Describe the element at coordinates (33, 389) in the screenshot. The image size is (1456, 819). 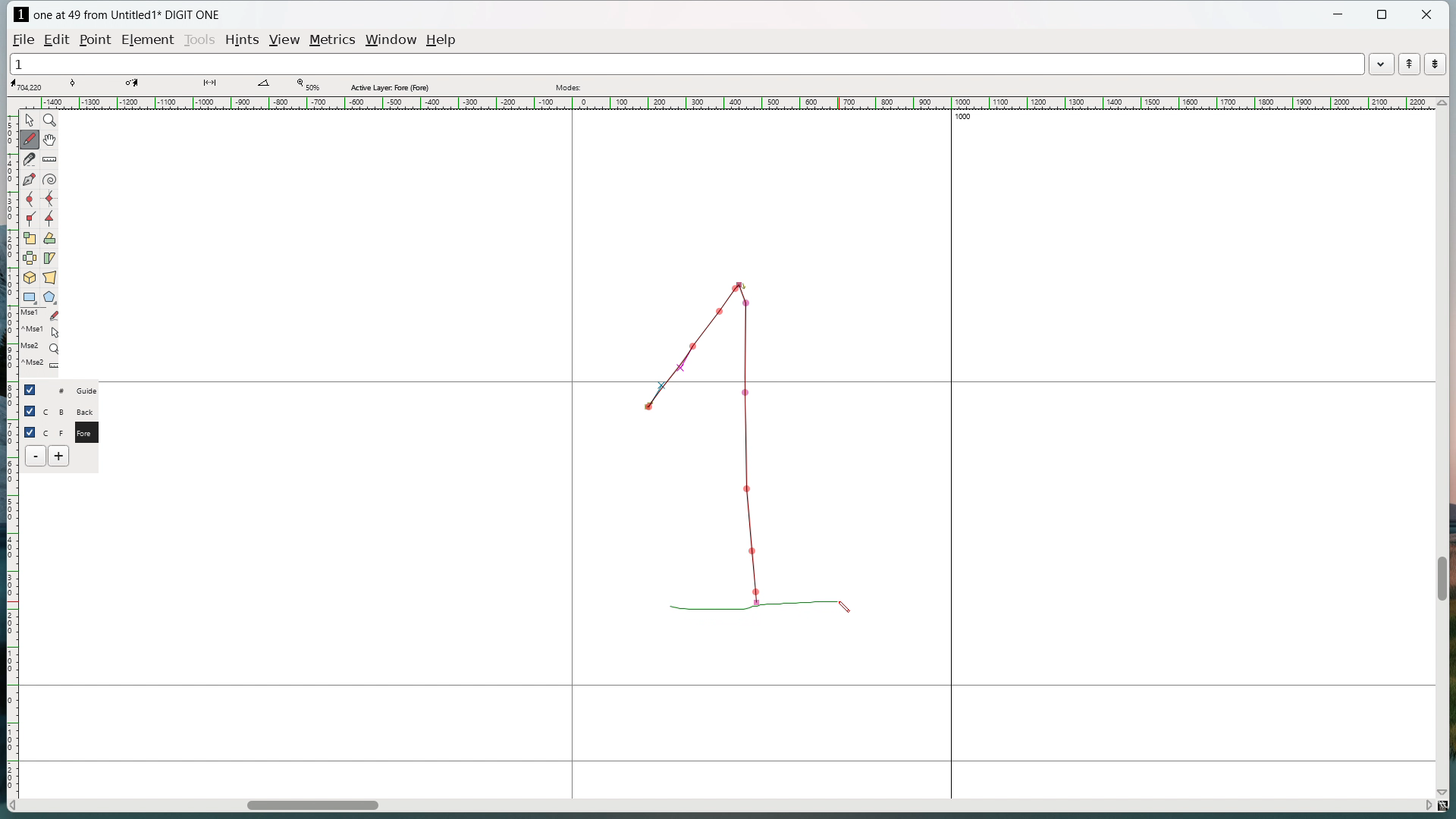
I see `checkbox` at that location.